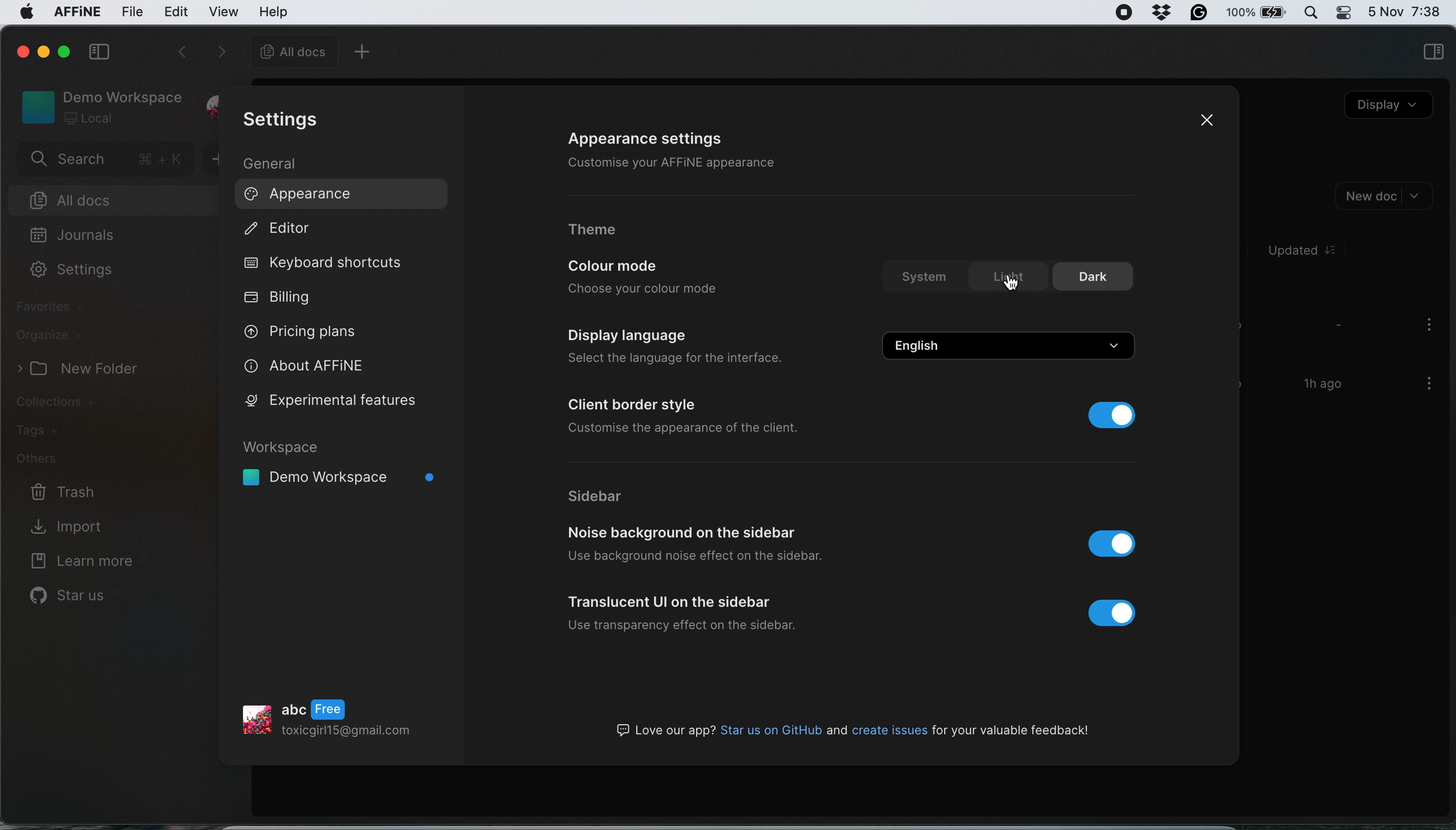  I want to click on settings, so click(288, 121).